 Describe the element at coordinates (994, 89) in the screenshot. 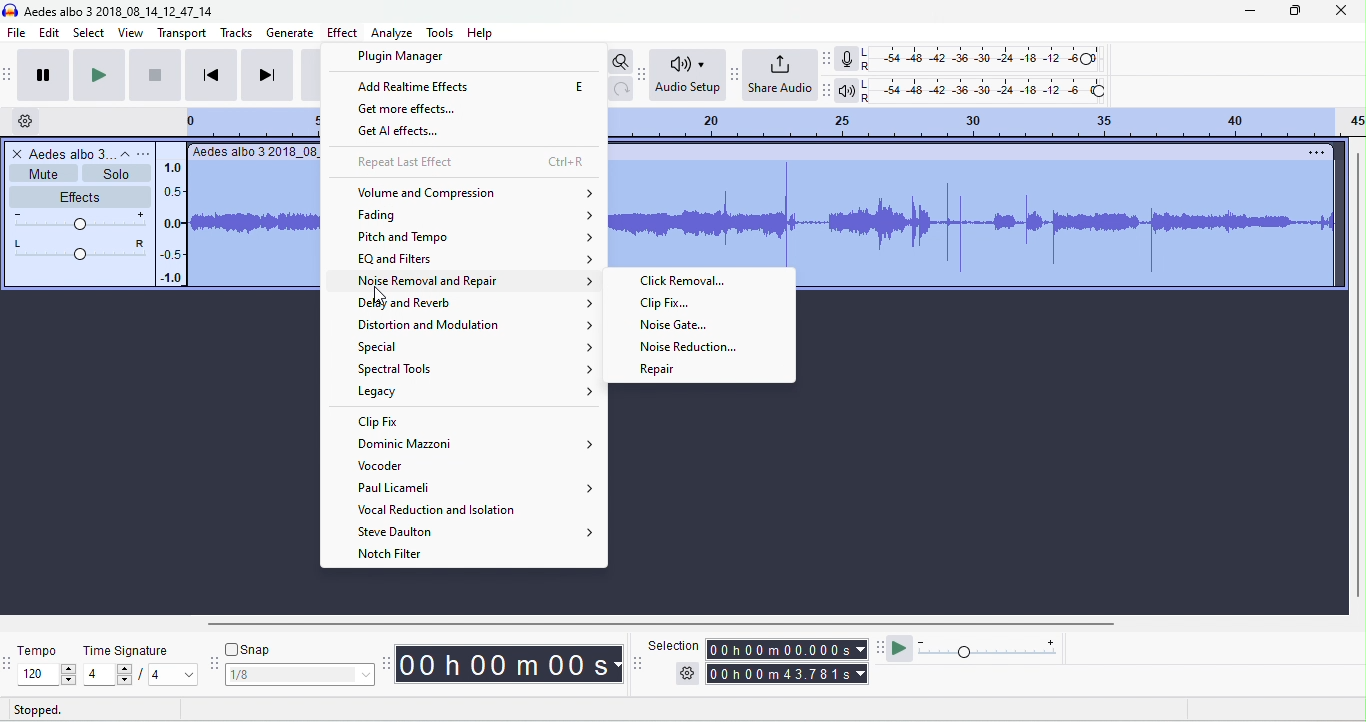

I see `playback level` at that location.